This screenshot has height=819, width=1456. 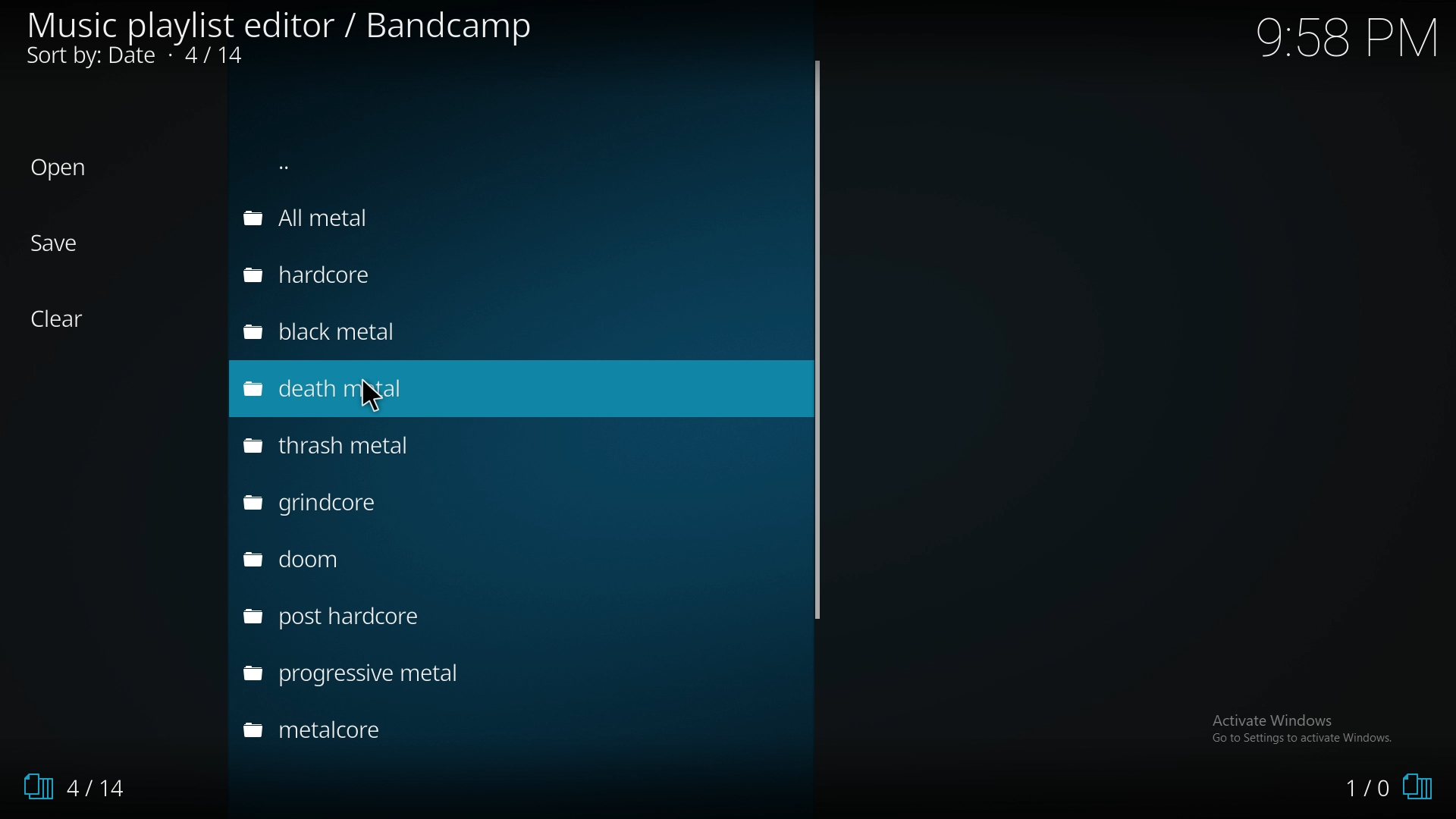 I want to click on Save, so click(x=57, y=243).